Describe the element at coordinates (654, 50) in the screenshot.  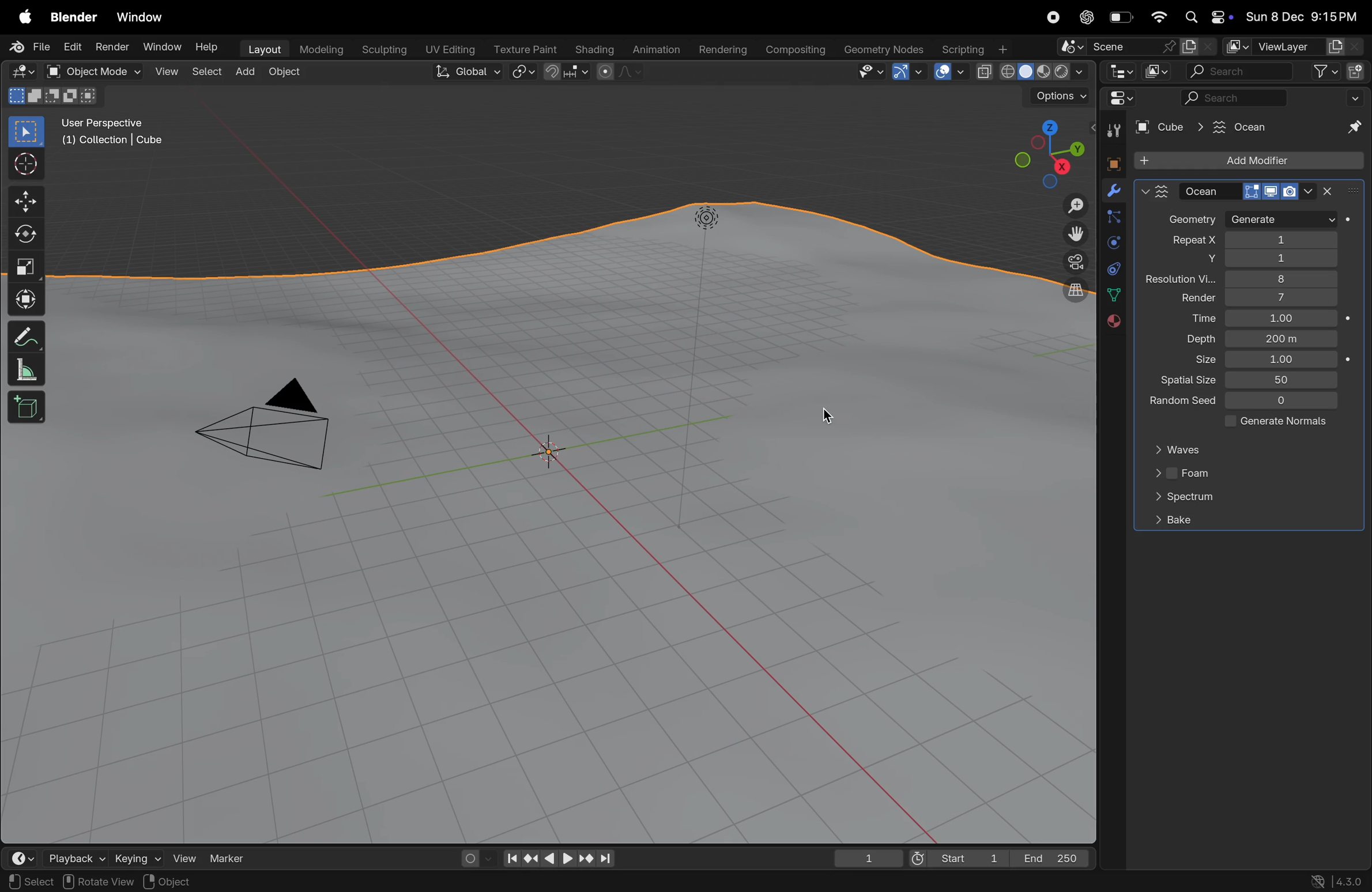
I see `animations` at that location.